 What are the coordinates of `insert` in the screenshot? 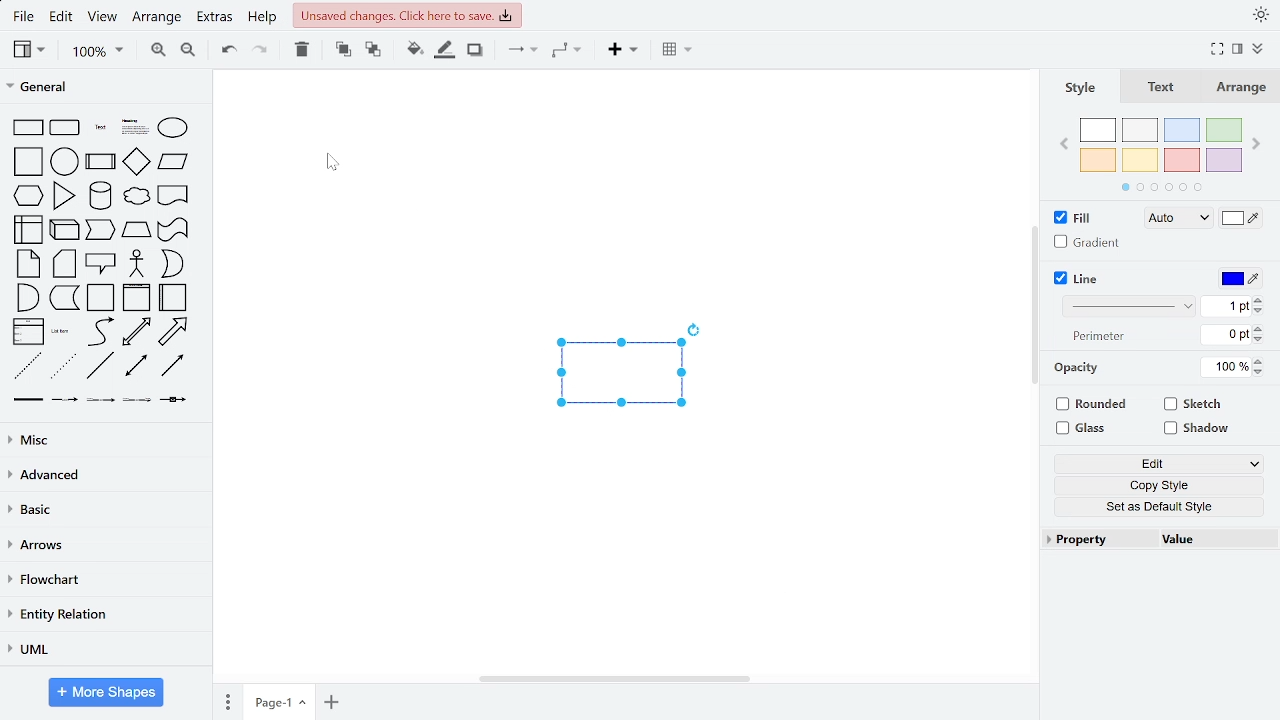 It's located at (622, 52).